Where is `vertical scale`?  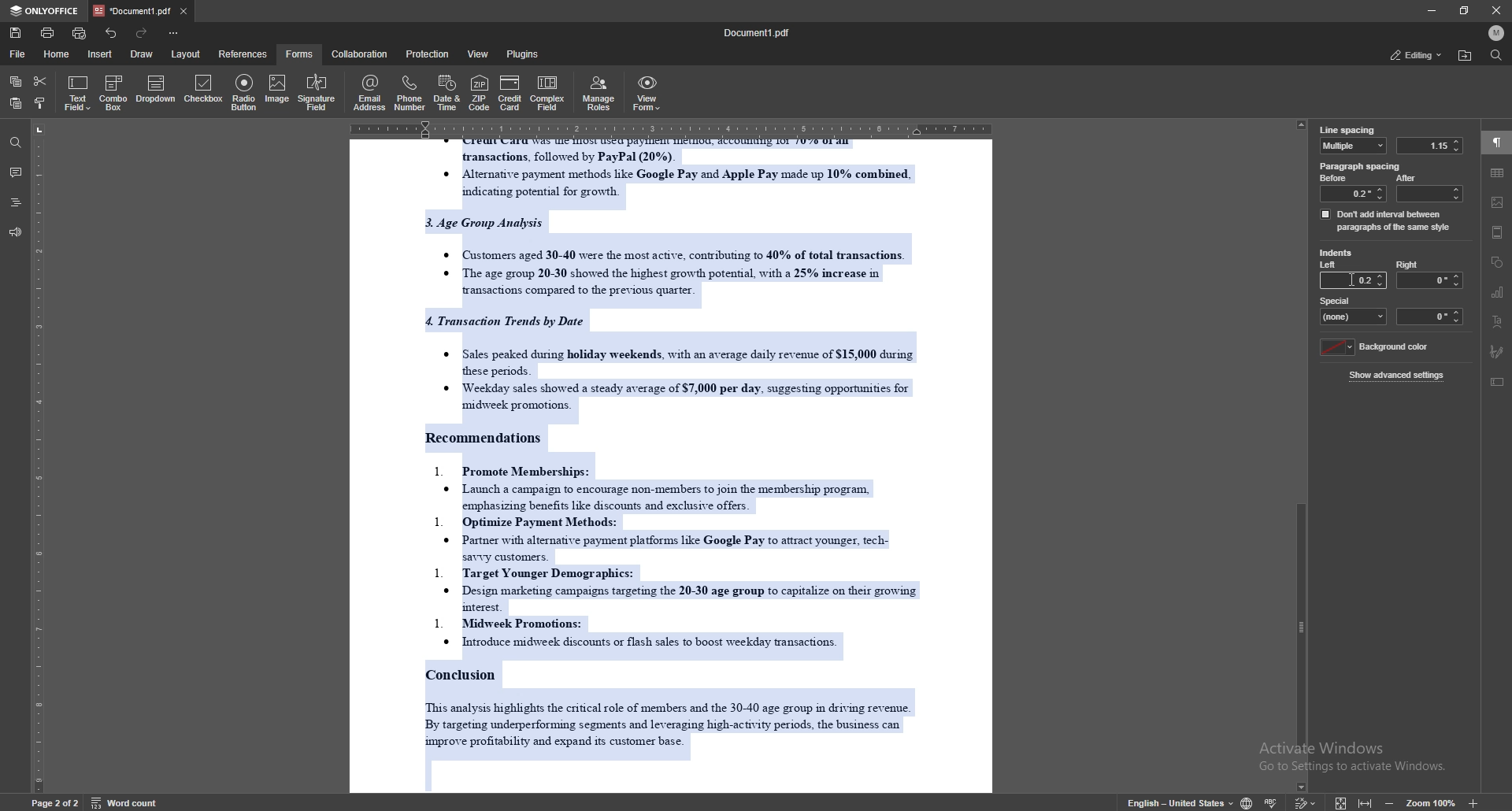 vertical scale is located at coordinates (39, 456).